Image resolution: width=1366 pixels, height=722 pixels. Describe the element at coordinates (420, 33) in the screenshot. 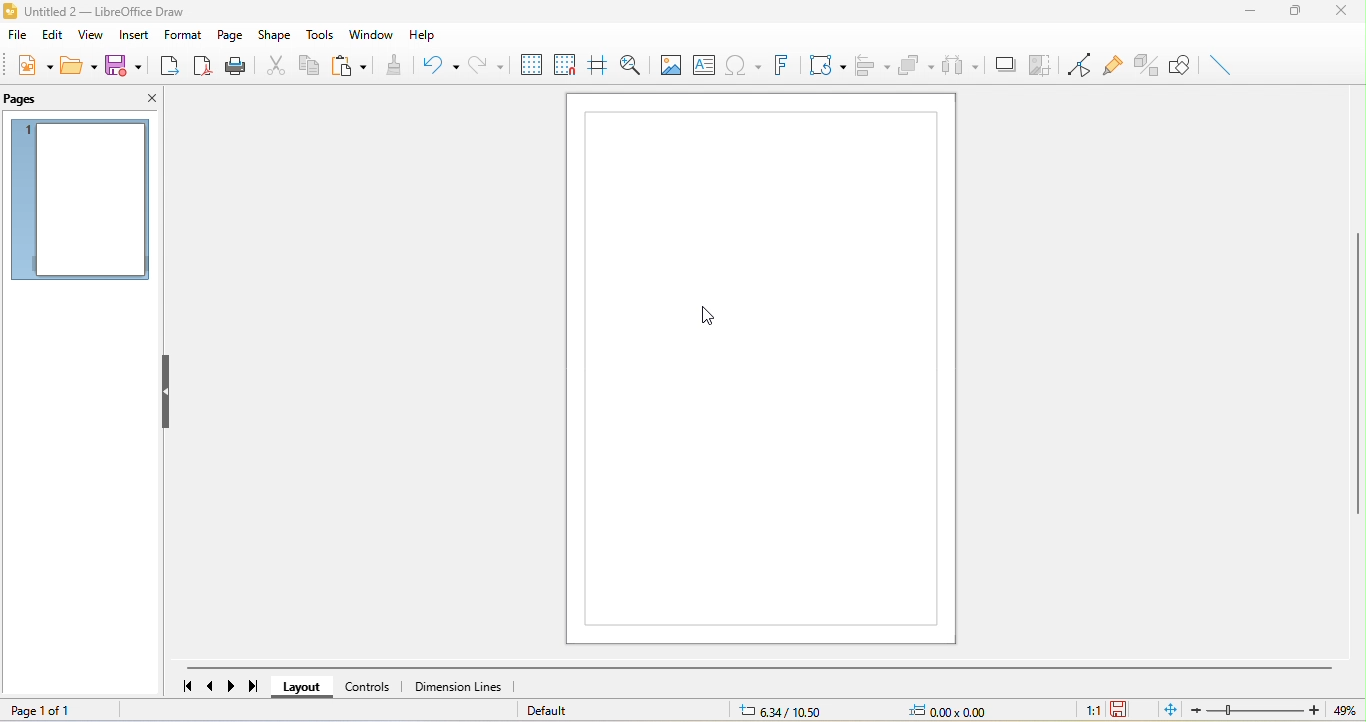

I see `help` at that location.